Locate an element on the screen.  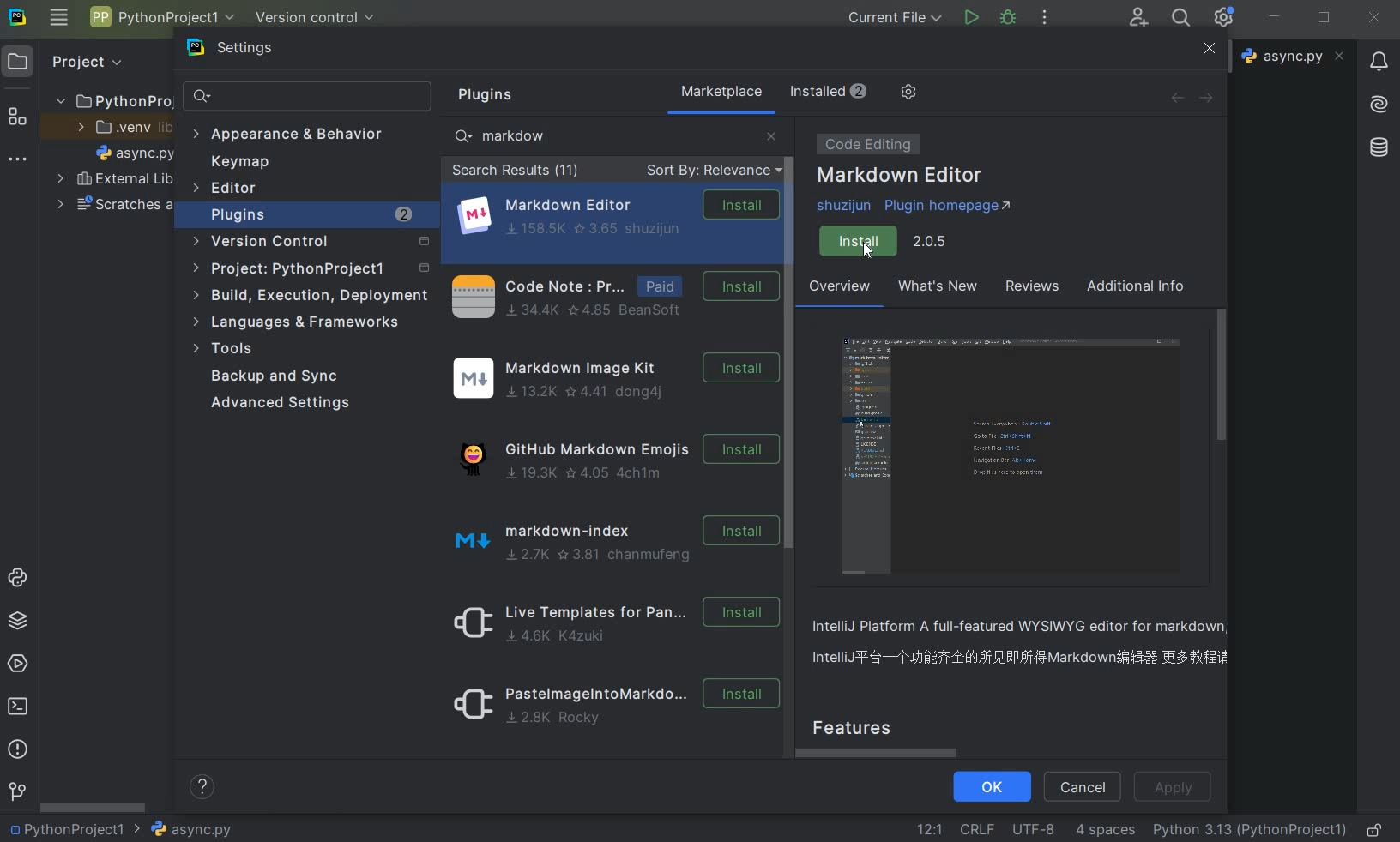
markdown is located at coordinates (511, 135).